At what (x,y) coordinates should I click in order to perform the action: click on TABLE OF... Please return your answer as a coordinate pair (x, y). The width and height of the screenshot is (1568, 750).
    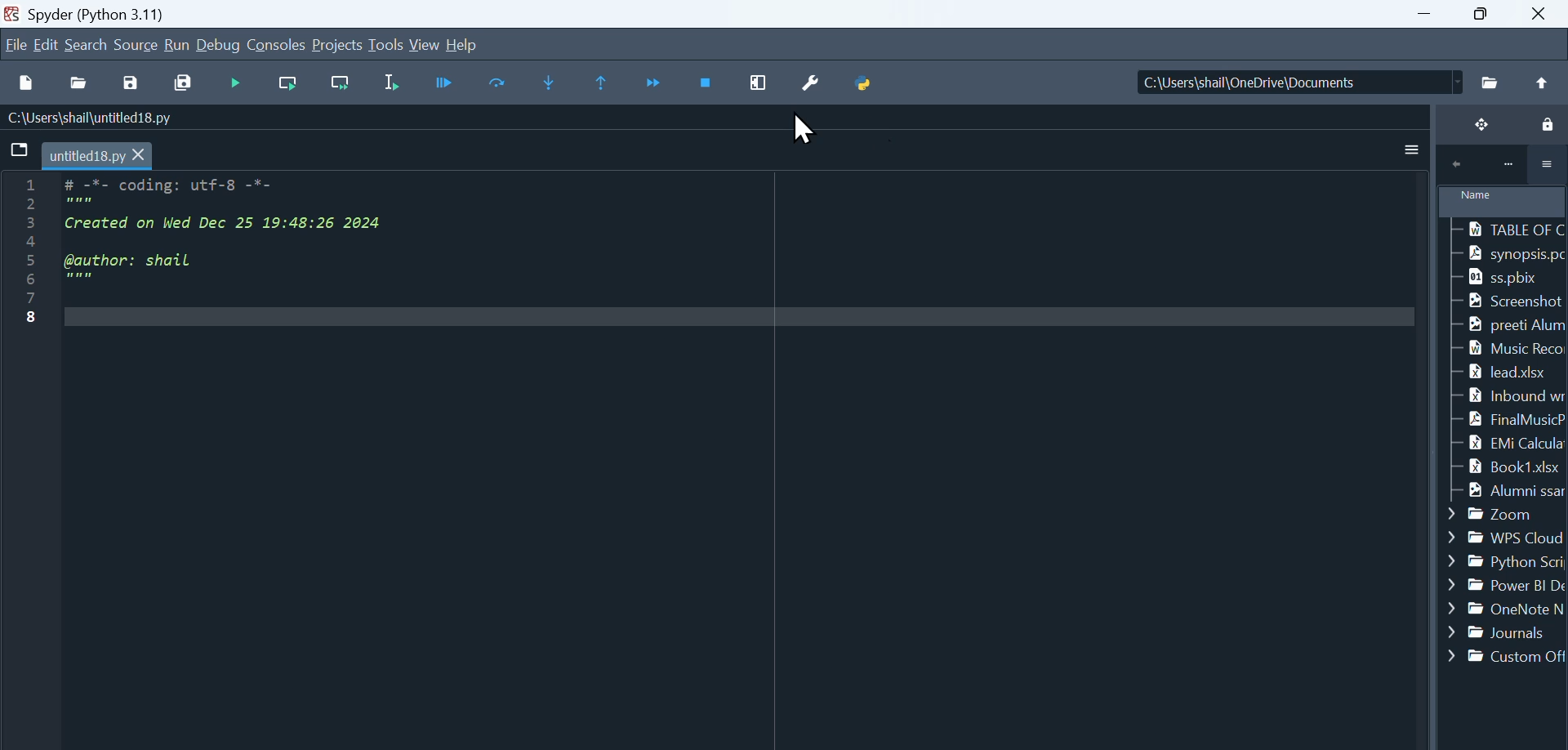
    Looking at the image, I should click on (1509, 230).